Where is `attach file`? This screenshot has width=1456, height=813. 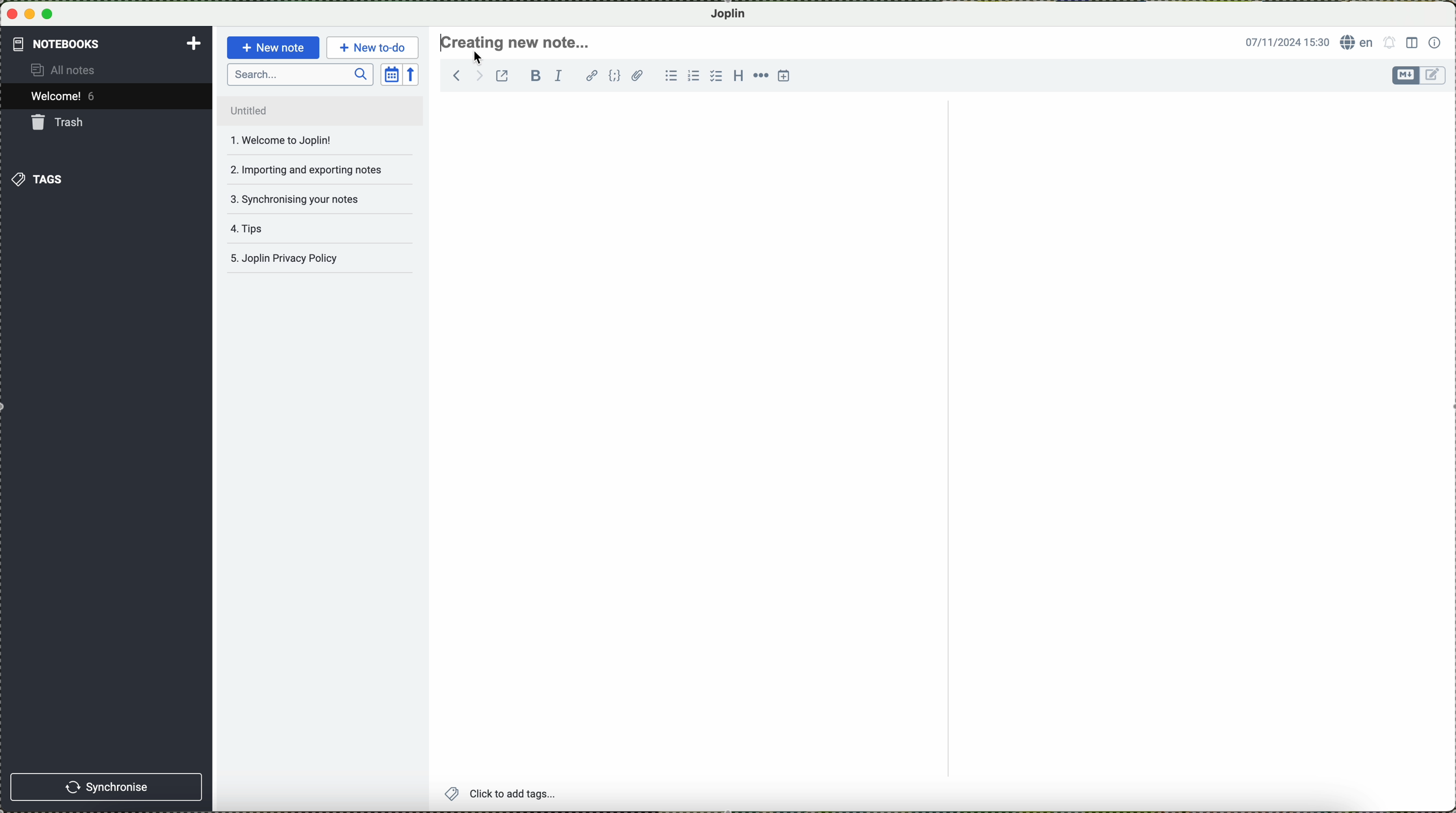 attach file is located at coordinates (638, 75).